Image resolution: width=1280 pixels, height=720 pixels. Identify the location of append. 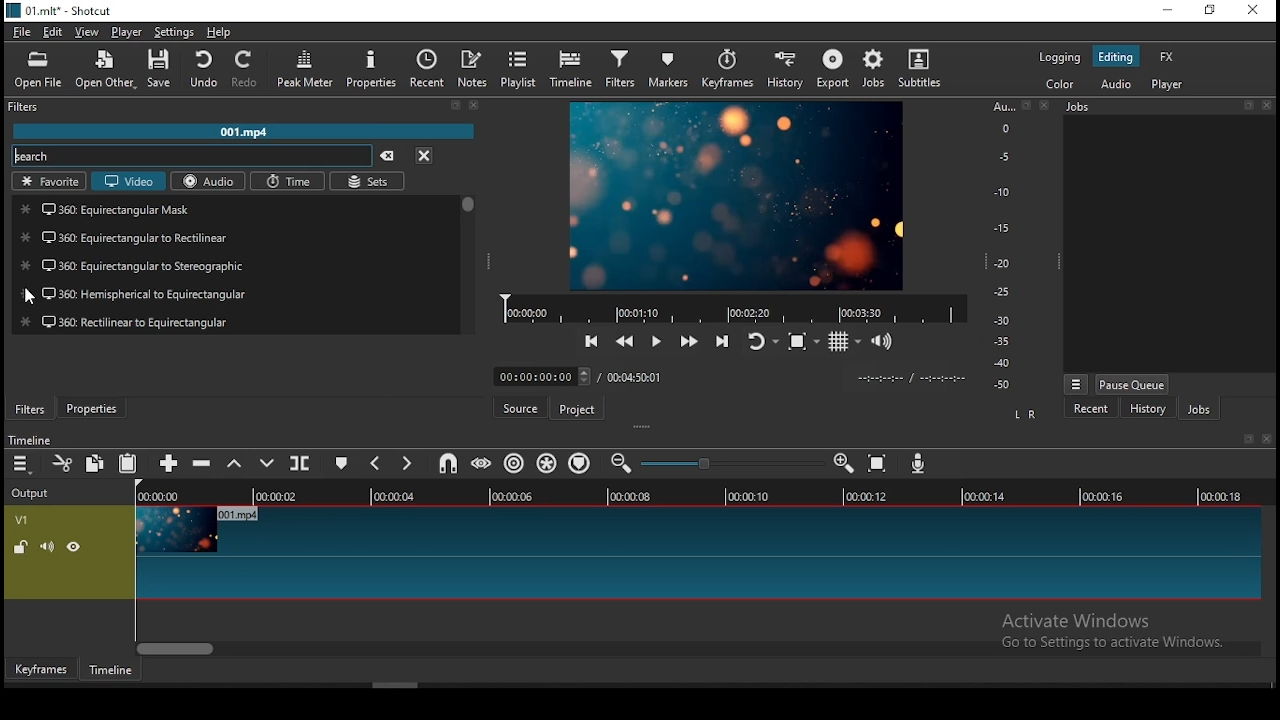
(168, 464).